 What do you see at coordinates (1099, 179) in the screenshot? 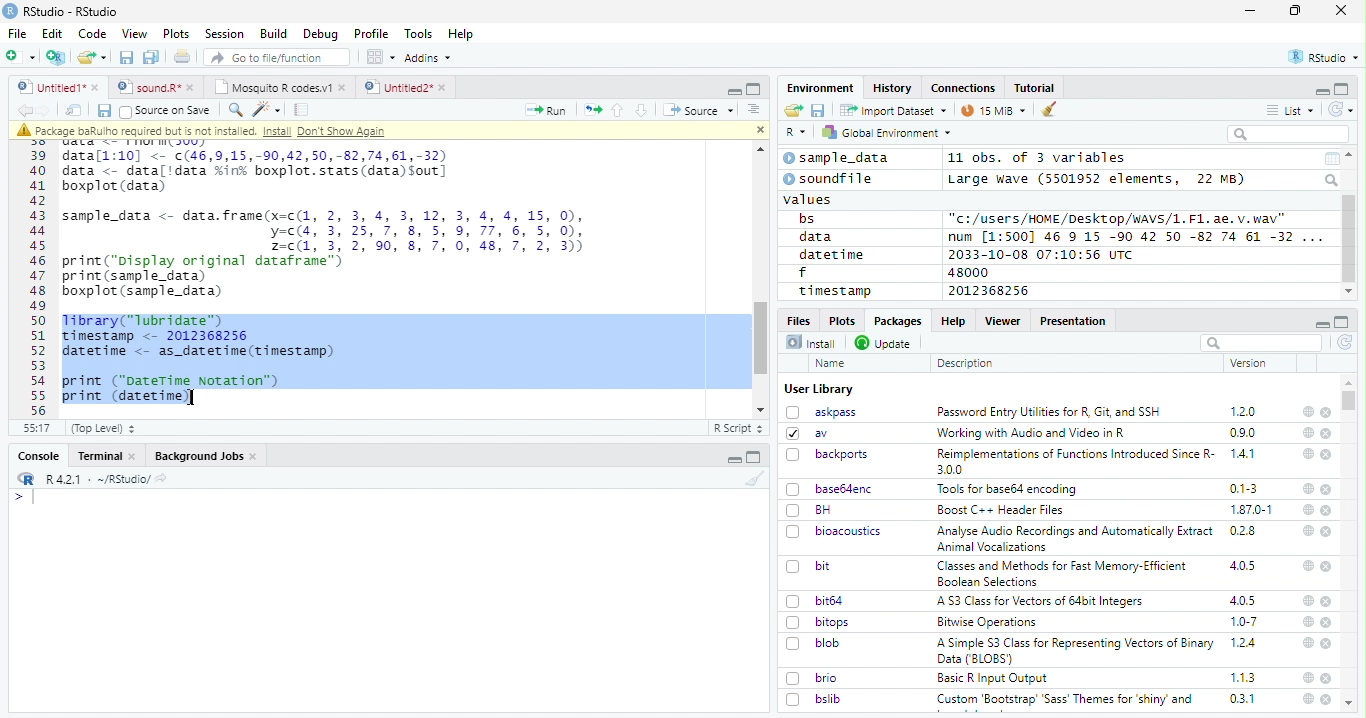
I see `Large wave (5501952 elements, 22 MB)` at bounding box center [1099, 179].